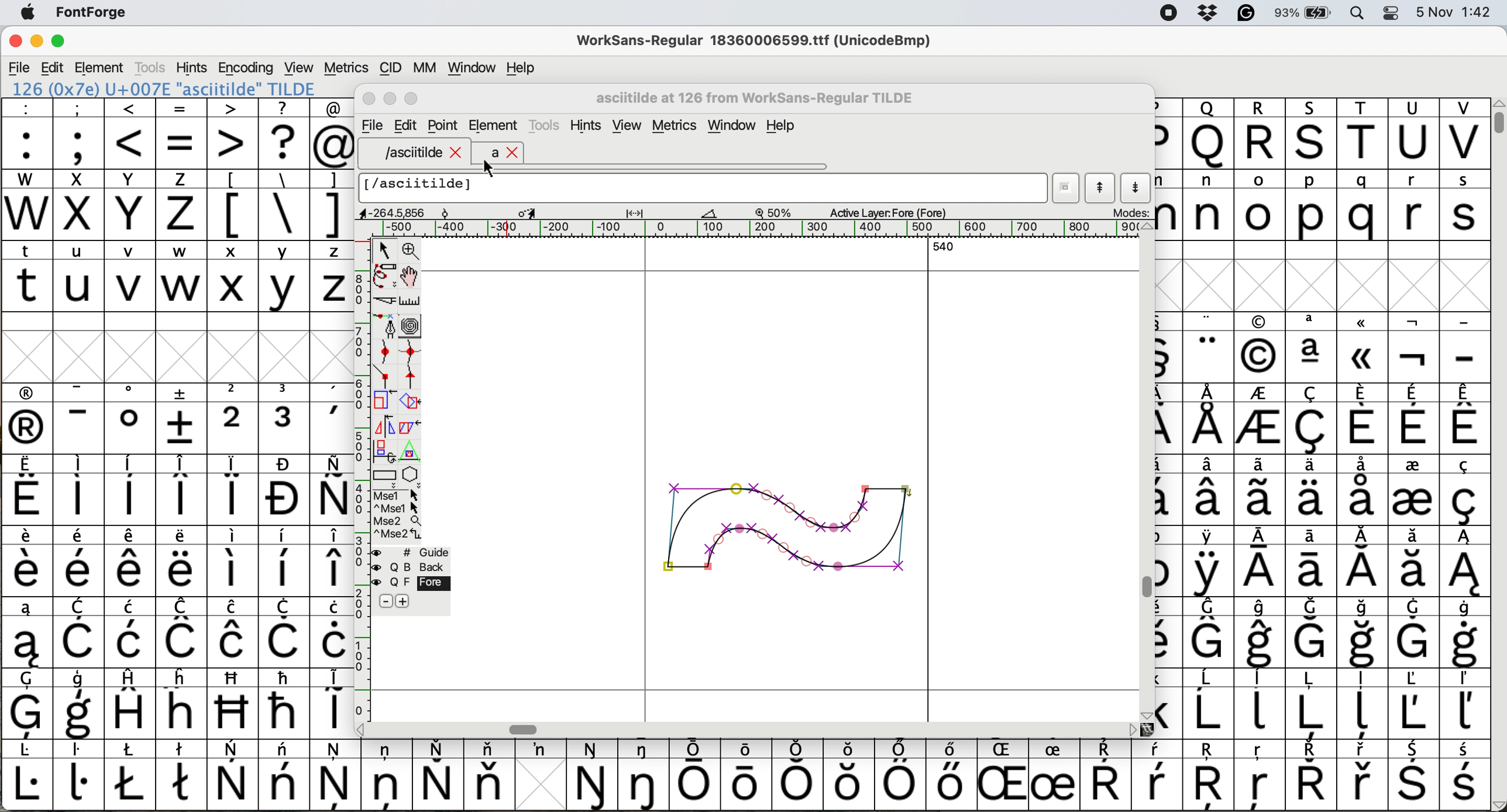 The image size is (1507, 812). What do you see at coordinates (1365, 135) in the screenshot?
I see `T` at bounding box center [1365, 135].